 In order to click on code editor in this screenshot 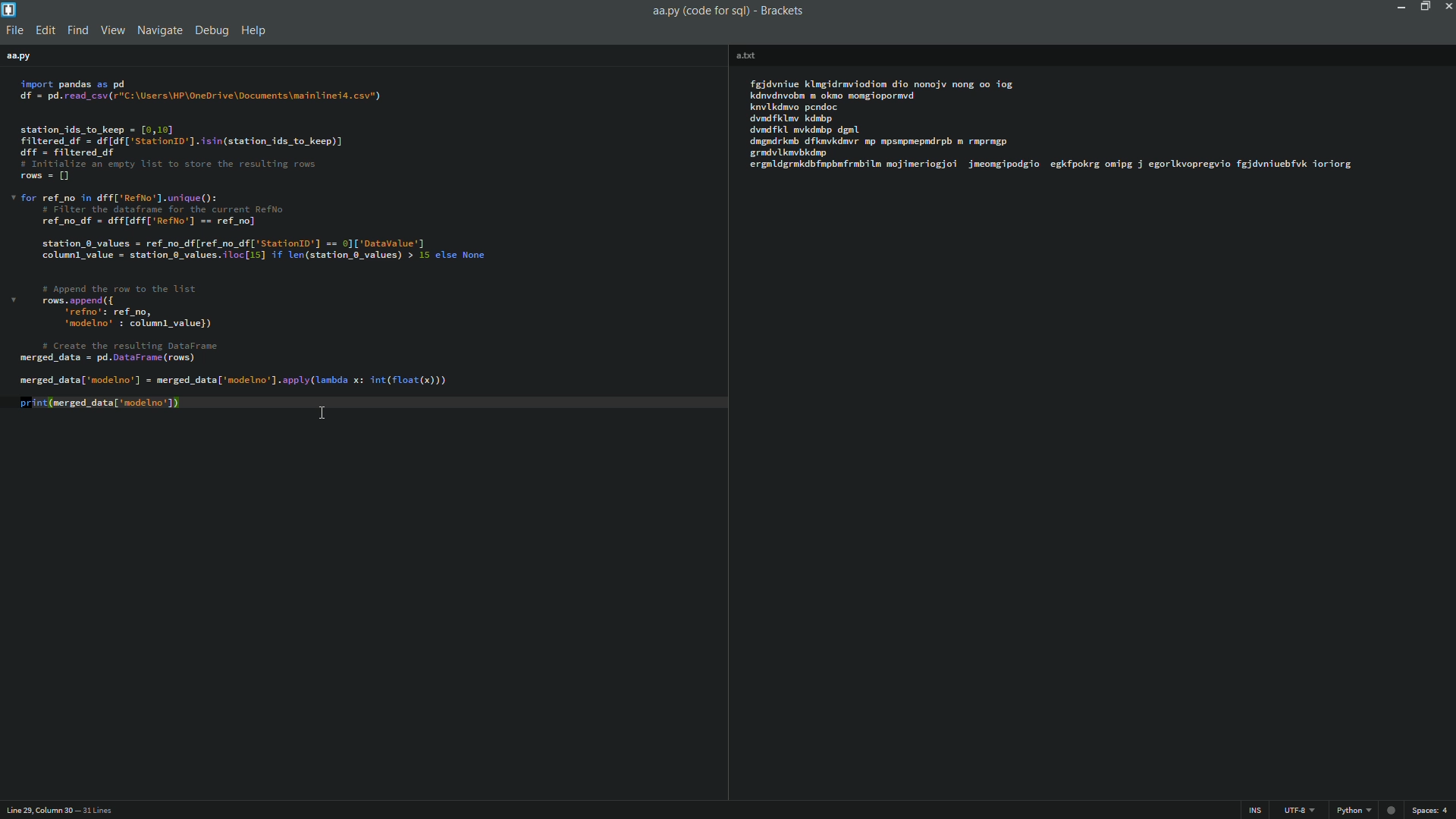, I will do `click(264, 257)`.